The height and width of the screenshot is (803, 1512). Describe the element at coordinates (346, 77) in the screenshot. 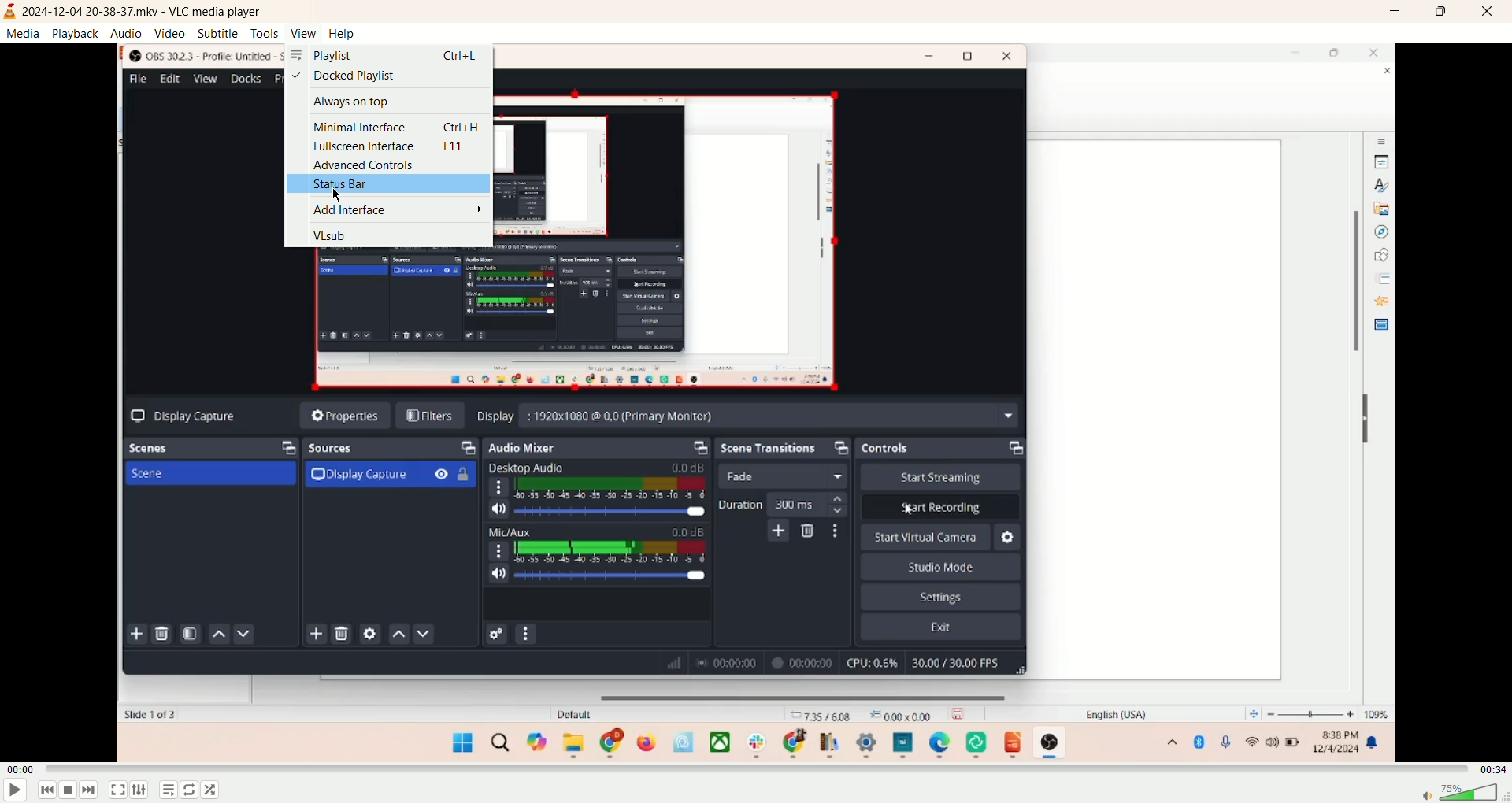

I see `docked playlist` at that location.